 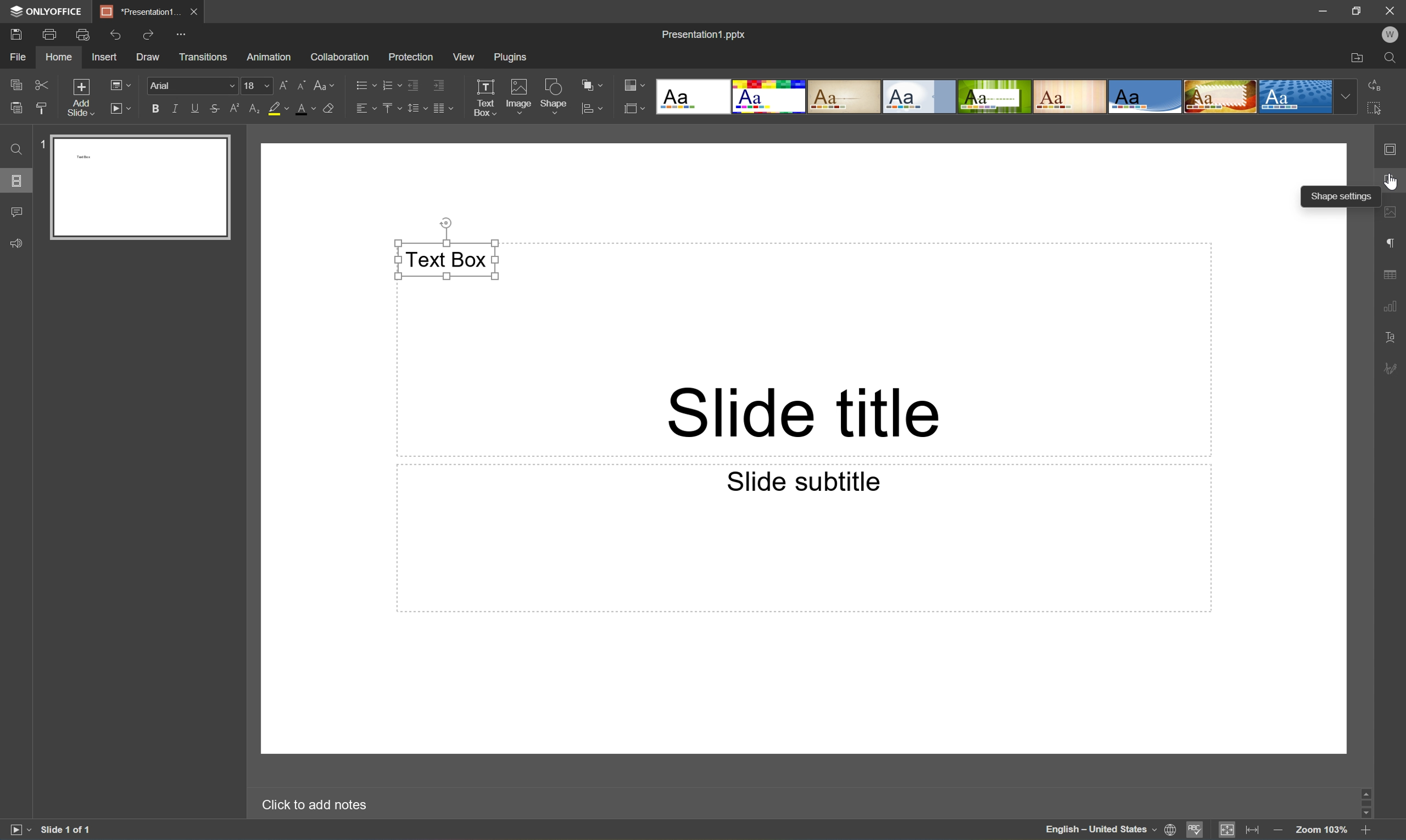 What do you see at coordinates (300, 85) in the screenshot?
I see `Decrement font size` at bounding box center [300, 85].